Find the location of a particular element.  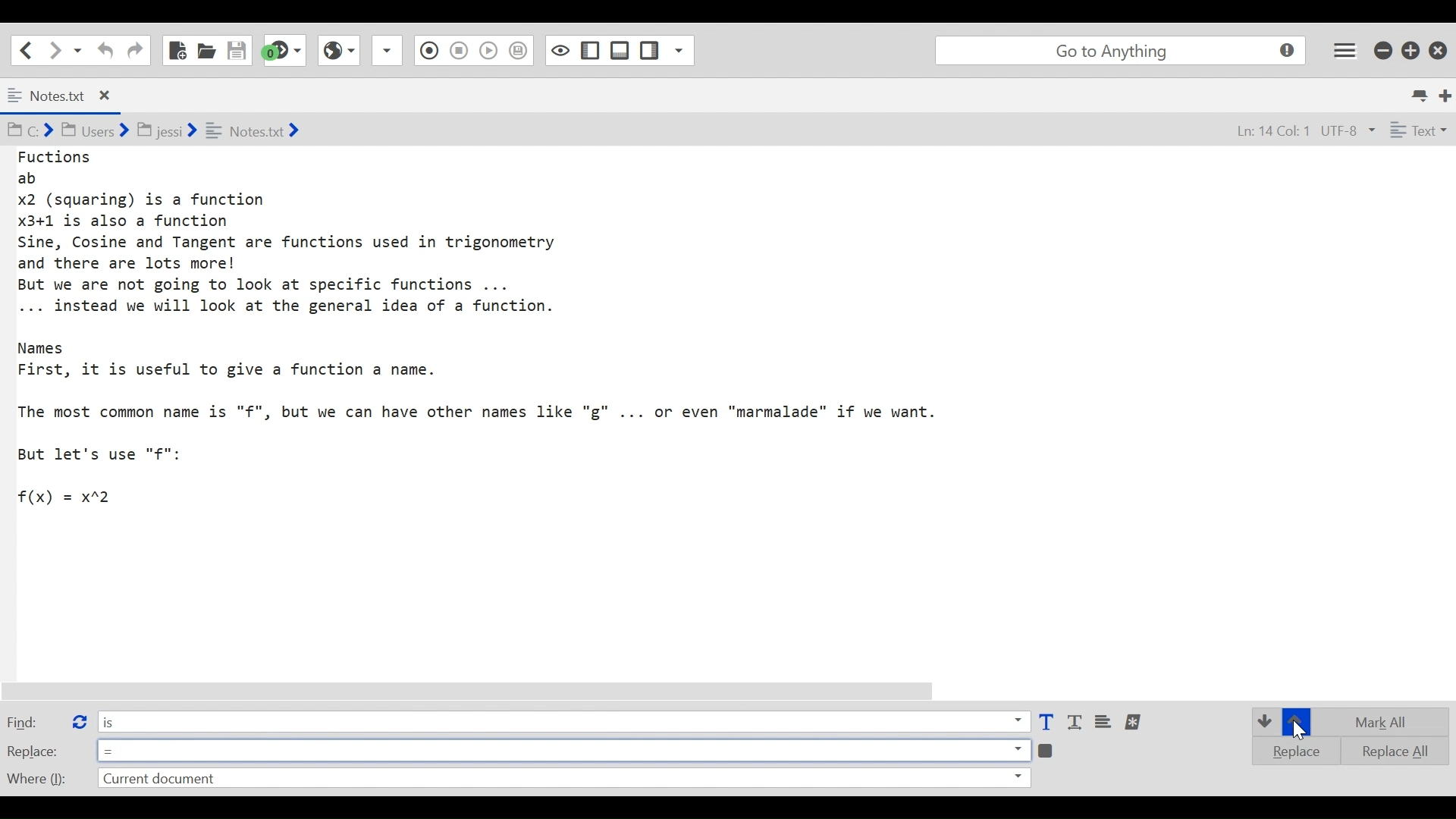

Play Last Macro is located at coordinates (338, 49).